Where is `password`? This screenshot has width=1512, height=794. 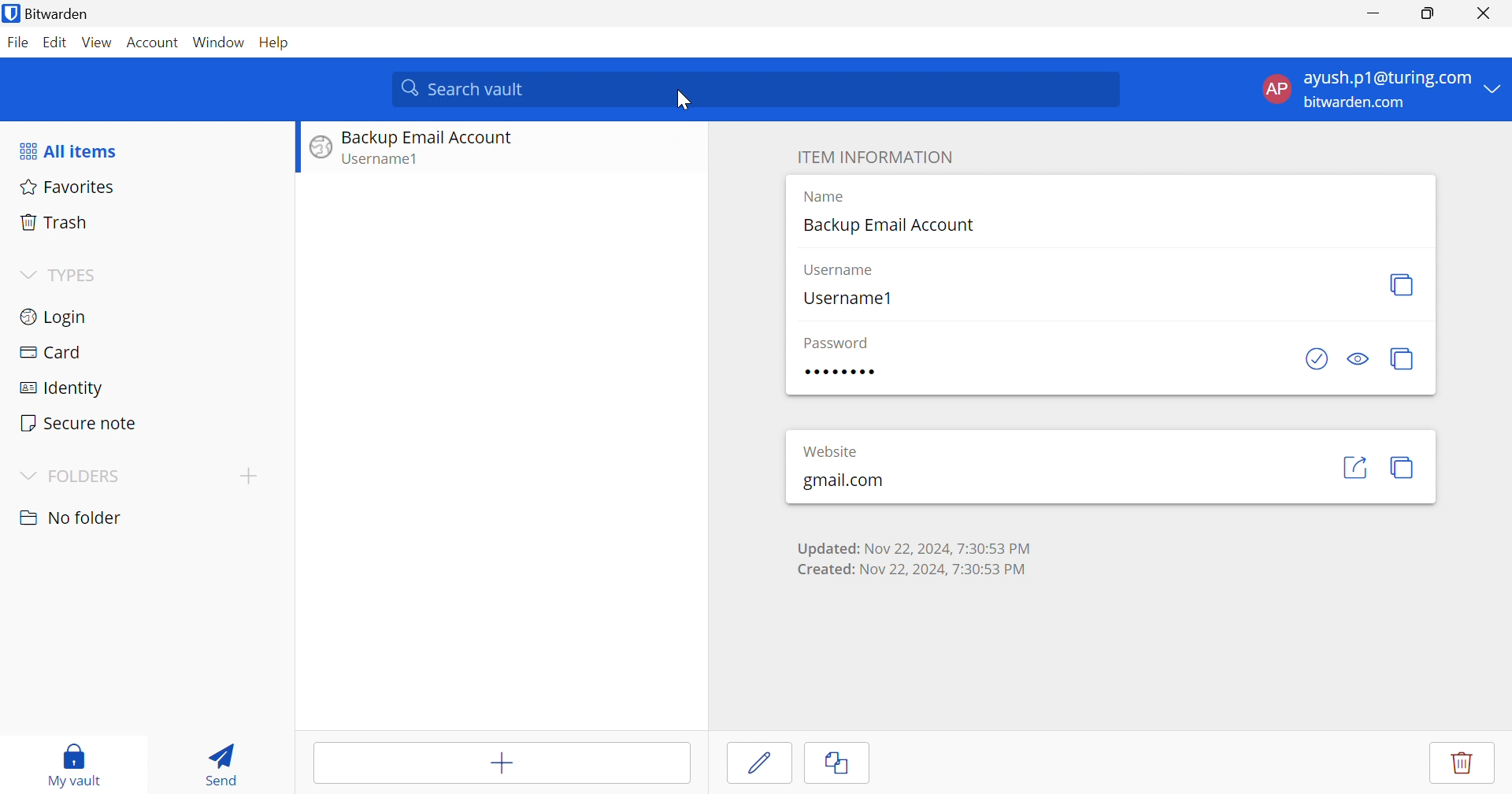 password is located at coordinates (847, 372).